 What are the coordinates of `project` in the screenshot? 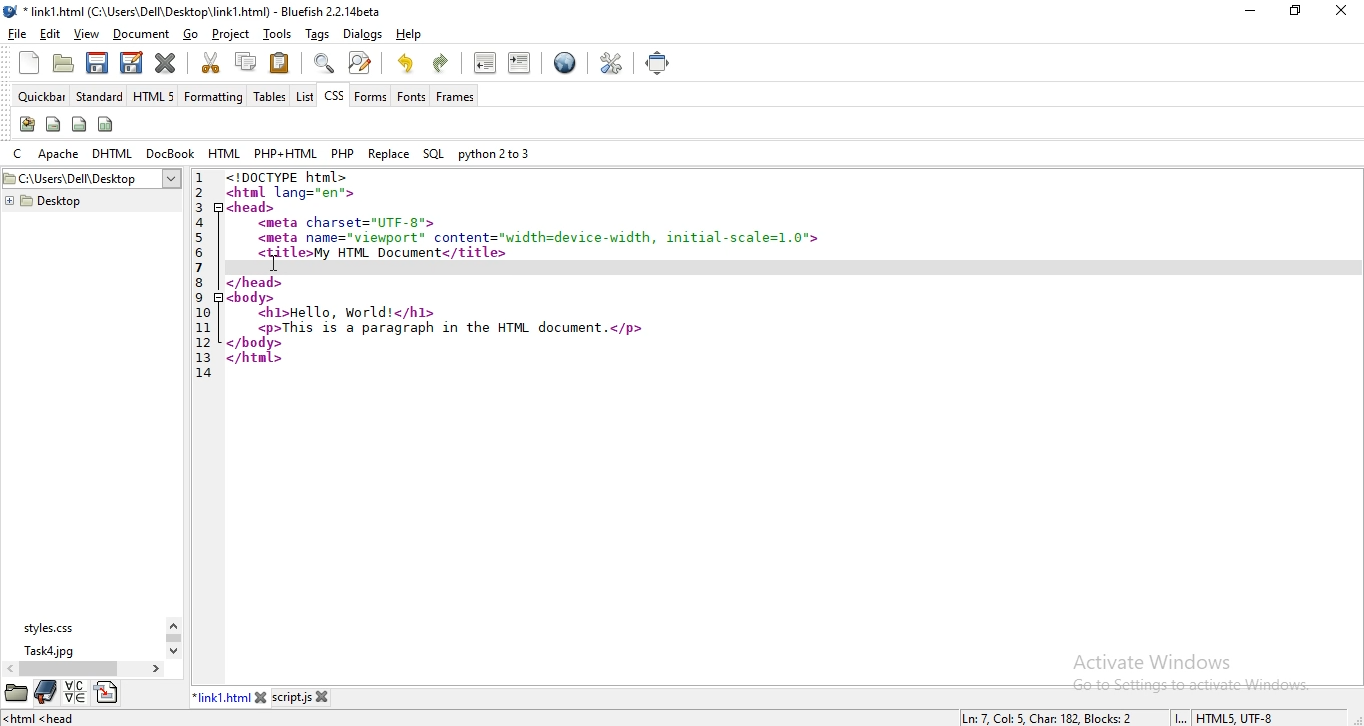 It's located at (231, 34).